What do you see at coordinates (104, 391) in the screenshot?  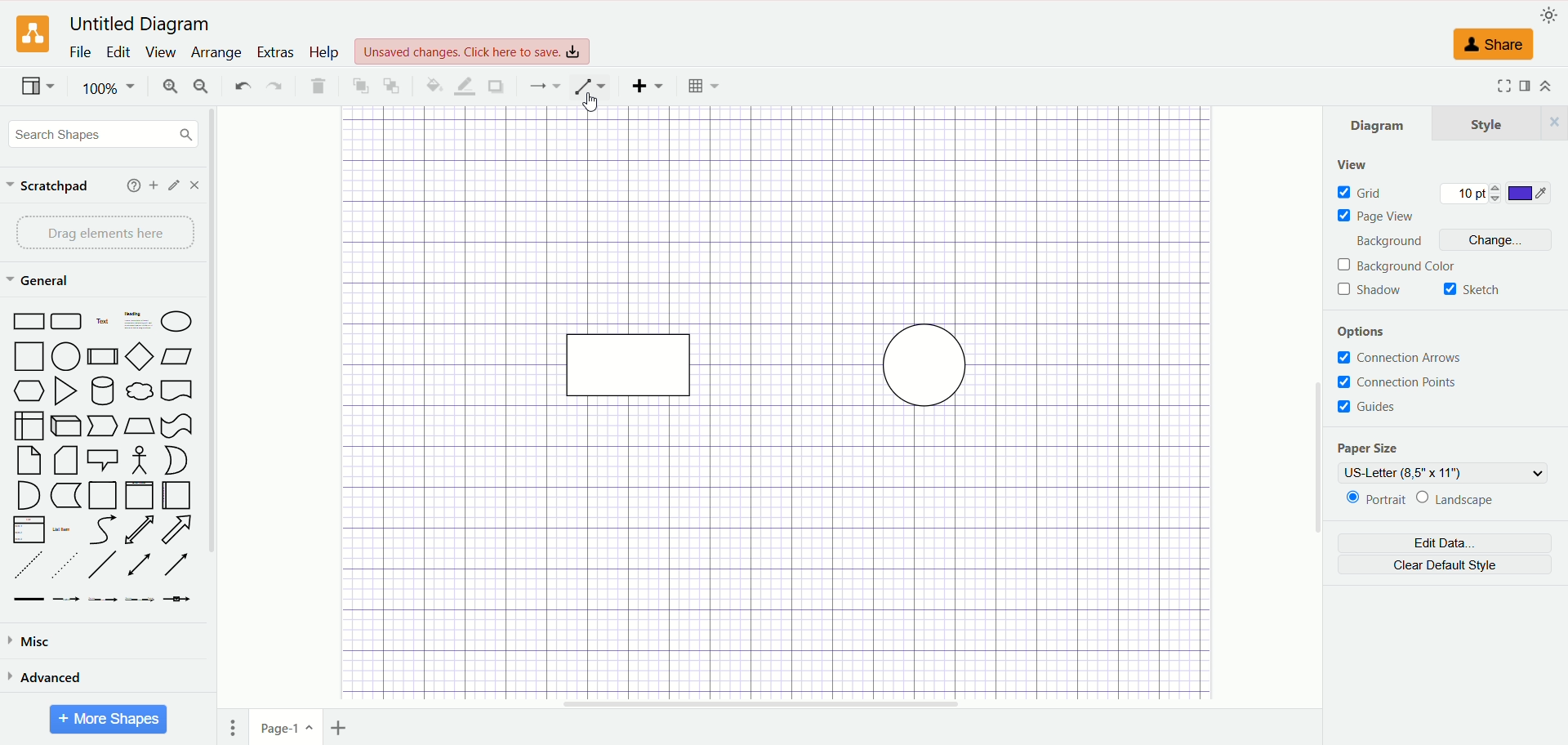 I see `Cylinder` at bounding box center [104, 391].